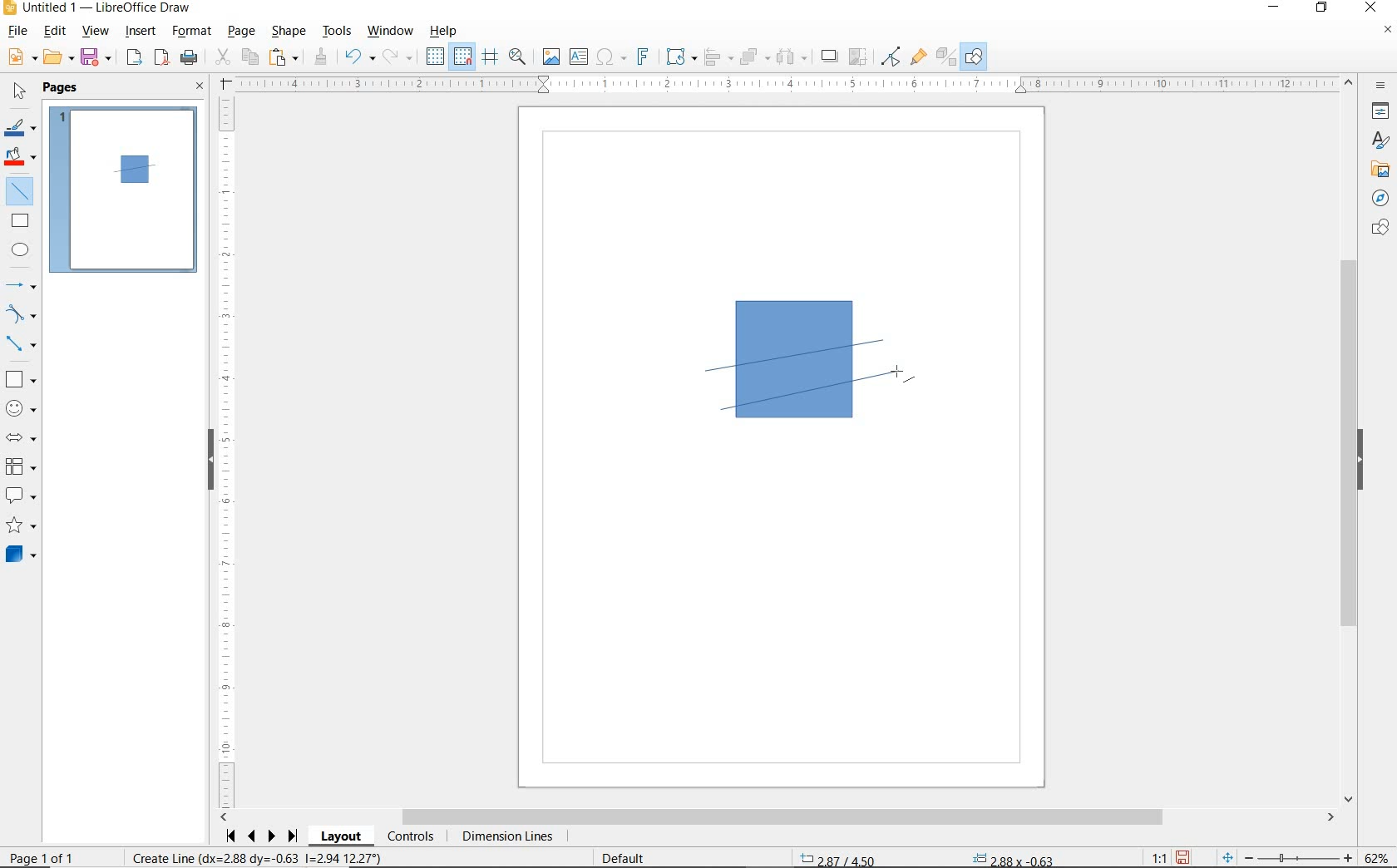 The image size is (1397, 868). Describe the element at coordinates (55, 31) in the screenshot. I see `EDIT` at that location.